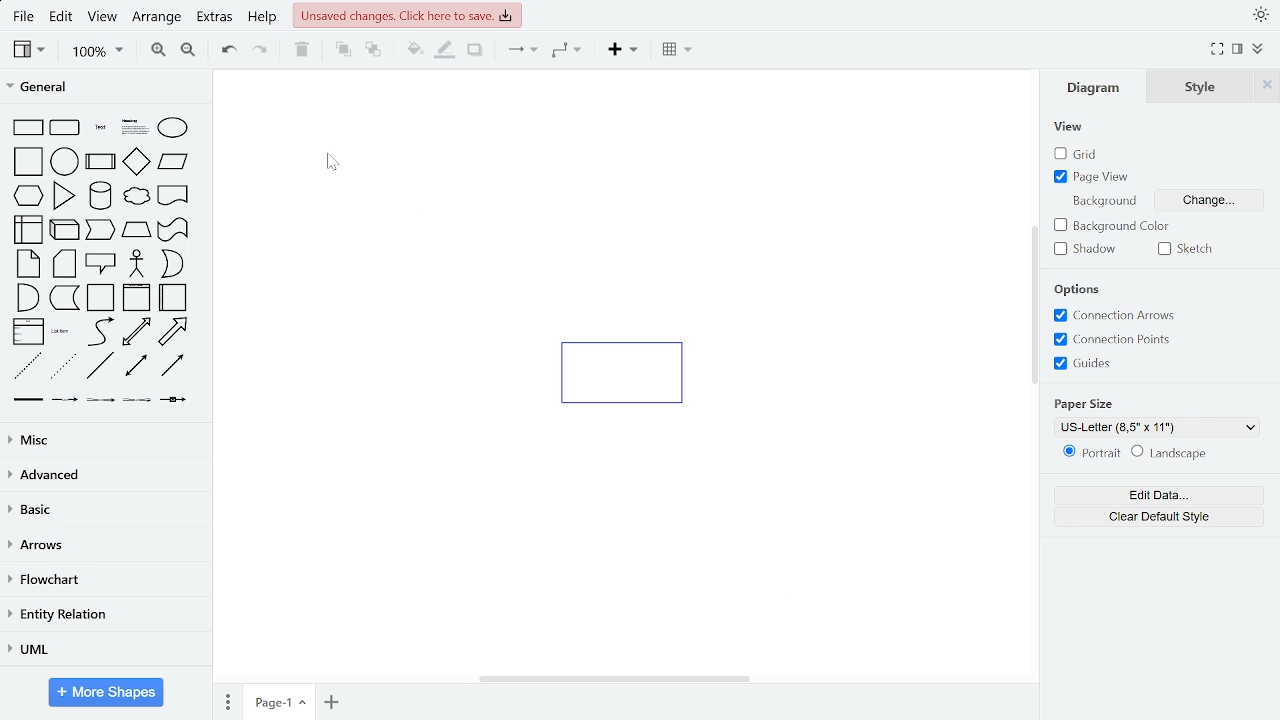 Image resolution: width=1280 pixels, height=720 pixels. Describe the element at coordinates (105, 615) in the screenshot. I see `entity relation` at that location.